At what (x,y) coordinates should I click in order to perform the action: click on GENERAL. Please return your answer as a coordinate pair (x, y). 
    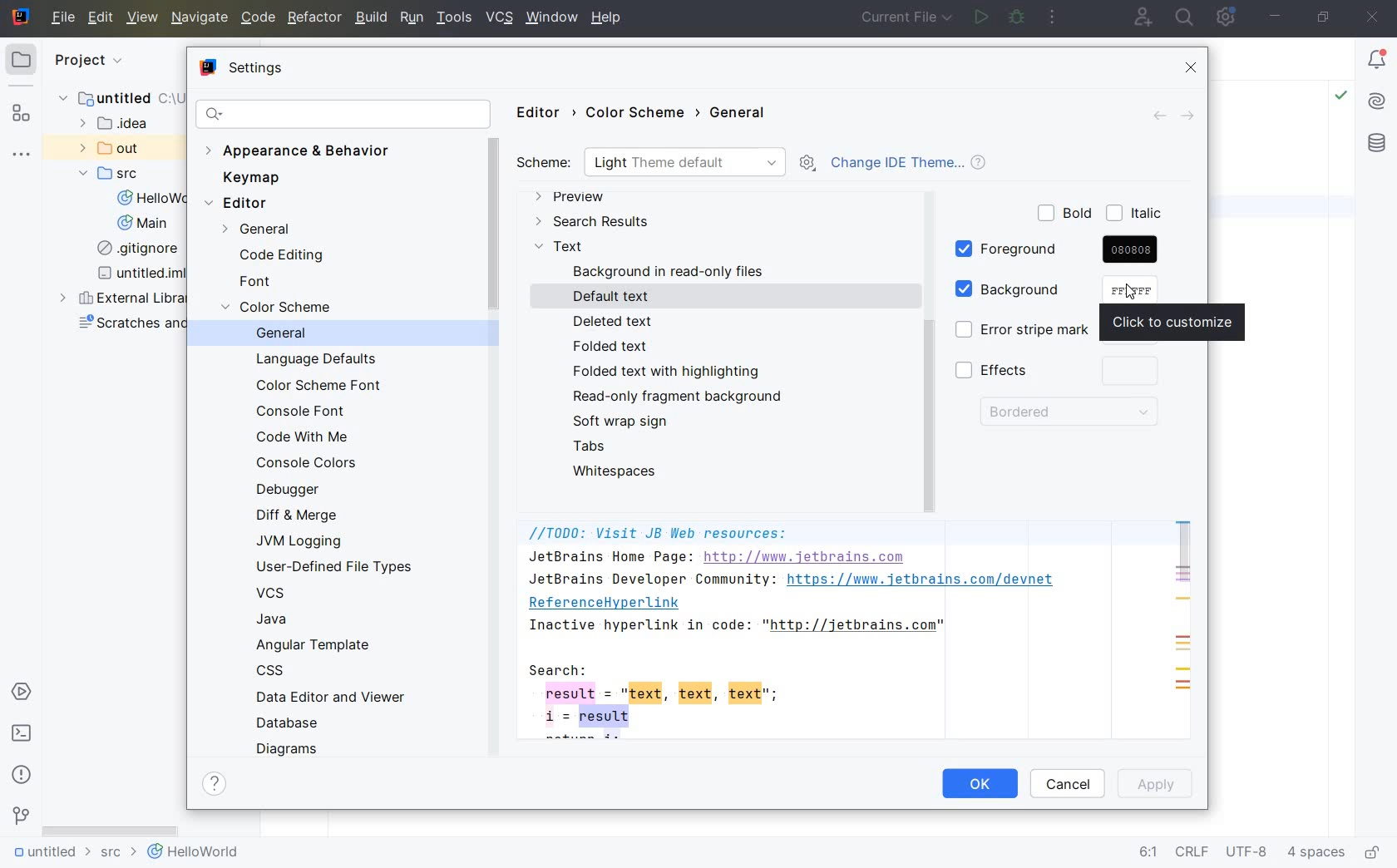
    Looking at the image, I should click on (743, 115).